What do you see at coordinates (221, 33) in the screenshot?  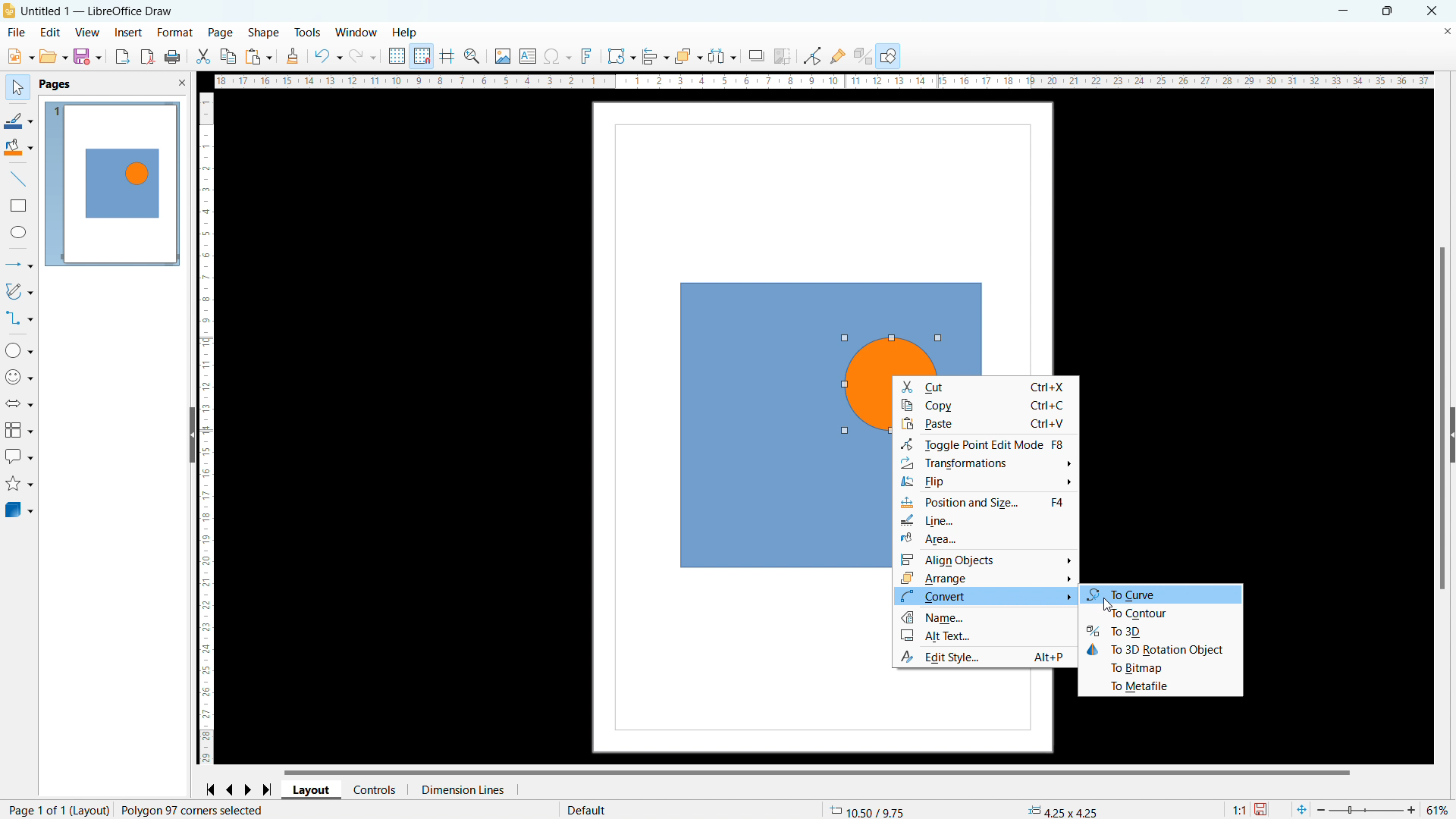 I see `page` at bounding box center [221, 33].